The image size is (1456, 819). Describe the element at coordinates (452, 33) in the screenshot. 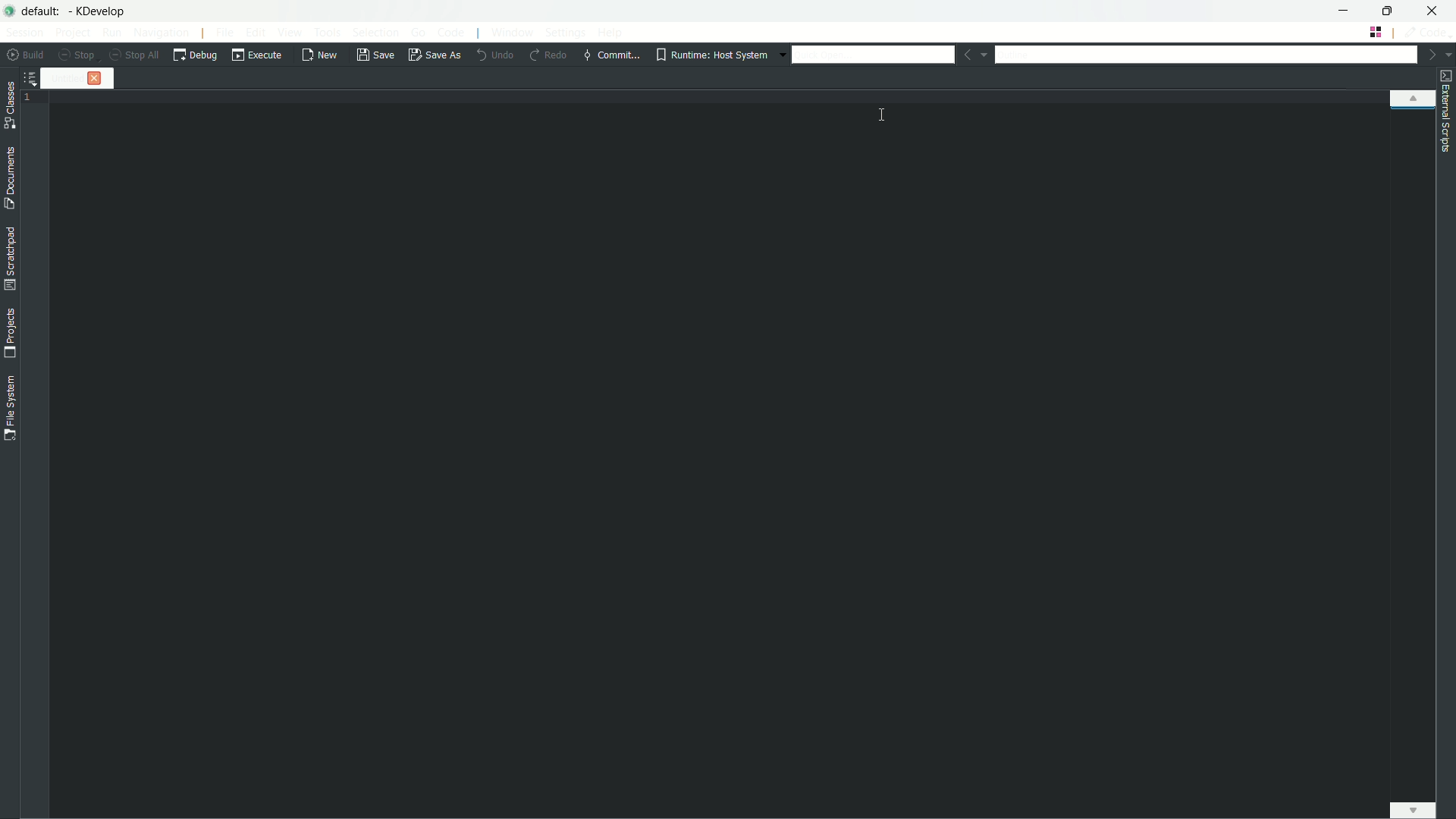

I see `code menu` at that location.